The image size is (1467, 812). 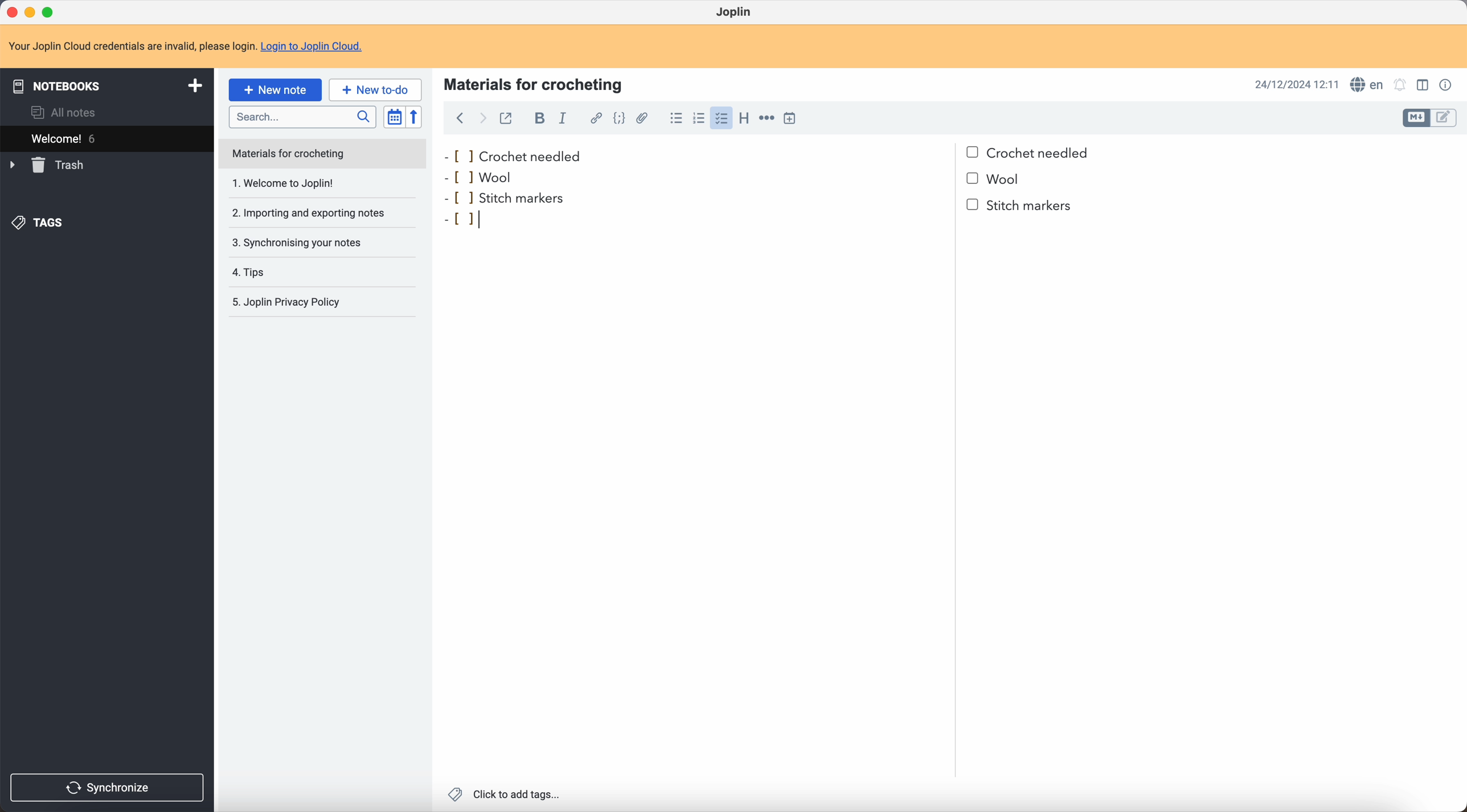 I want to click on bold, so click(x=536, y=118).